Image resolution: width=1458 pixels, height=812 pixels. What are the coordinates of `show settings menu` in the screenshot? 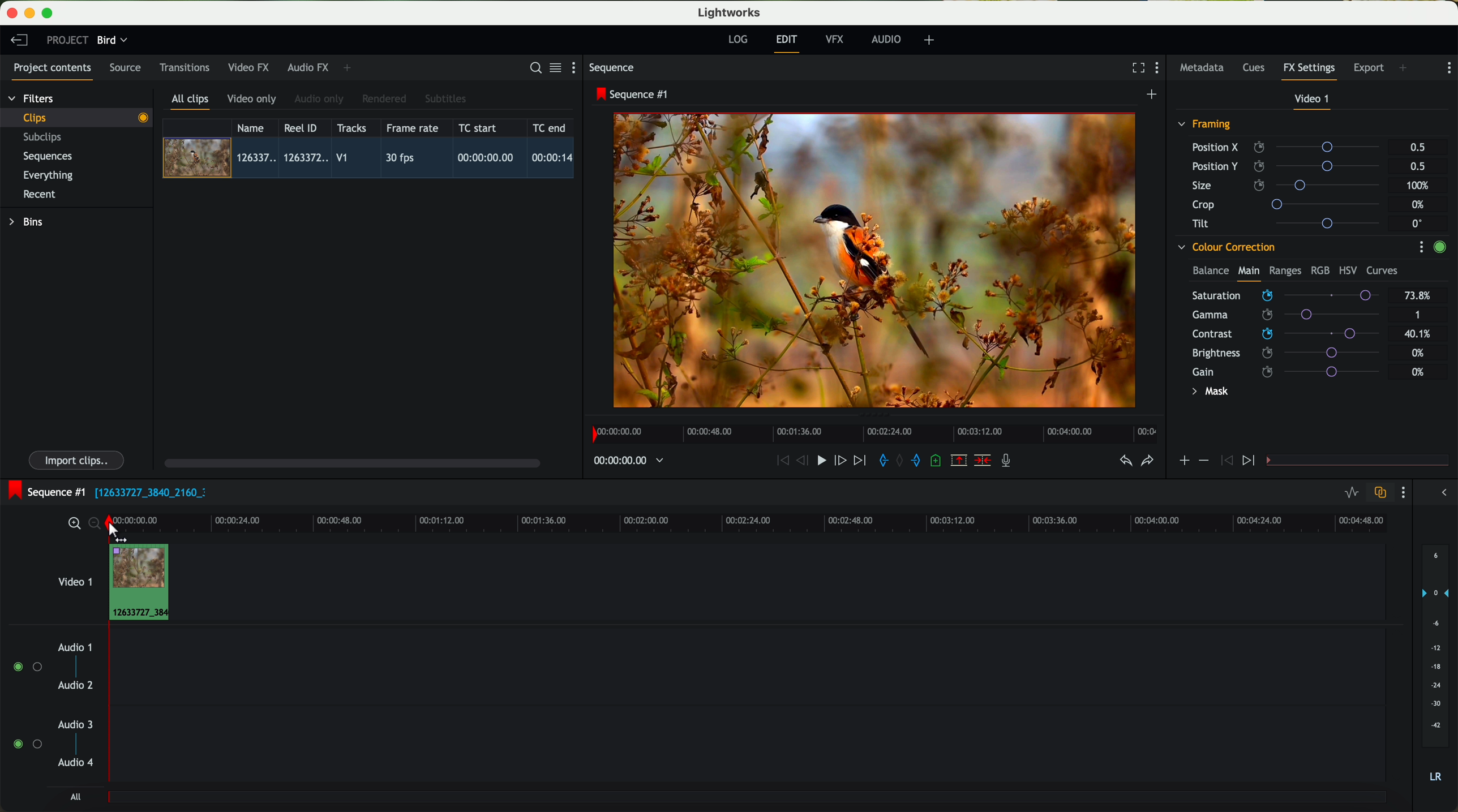 It's located at (578, 67).